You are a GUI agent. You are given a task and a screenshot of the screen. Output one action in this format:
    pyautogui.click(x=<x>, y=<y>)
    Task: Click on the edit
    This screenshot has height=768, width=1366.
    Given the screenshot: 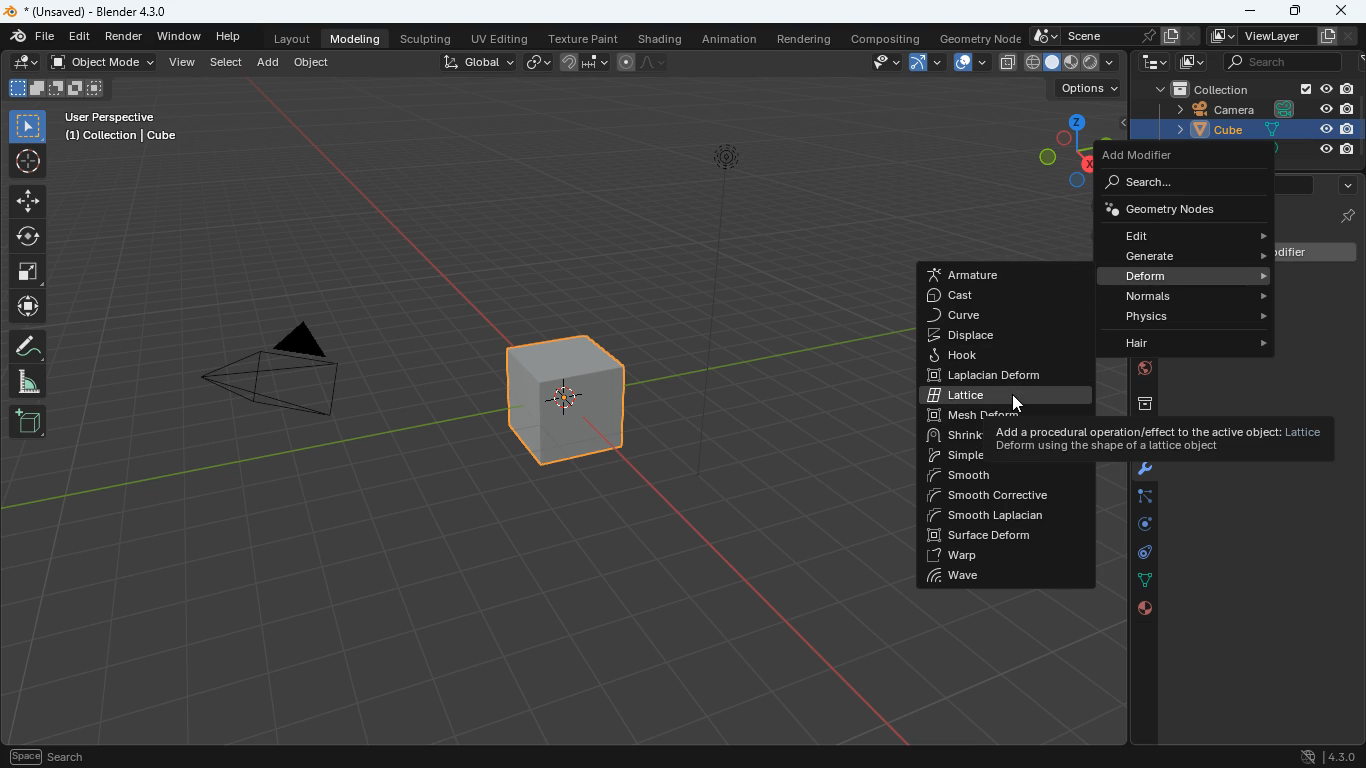 What is the action you would take?
    pyautogui.click(x=79, y=36)
    